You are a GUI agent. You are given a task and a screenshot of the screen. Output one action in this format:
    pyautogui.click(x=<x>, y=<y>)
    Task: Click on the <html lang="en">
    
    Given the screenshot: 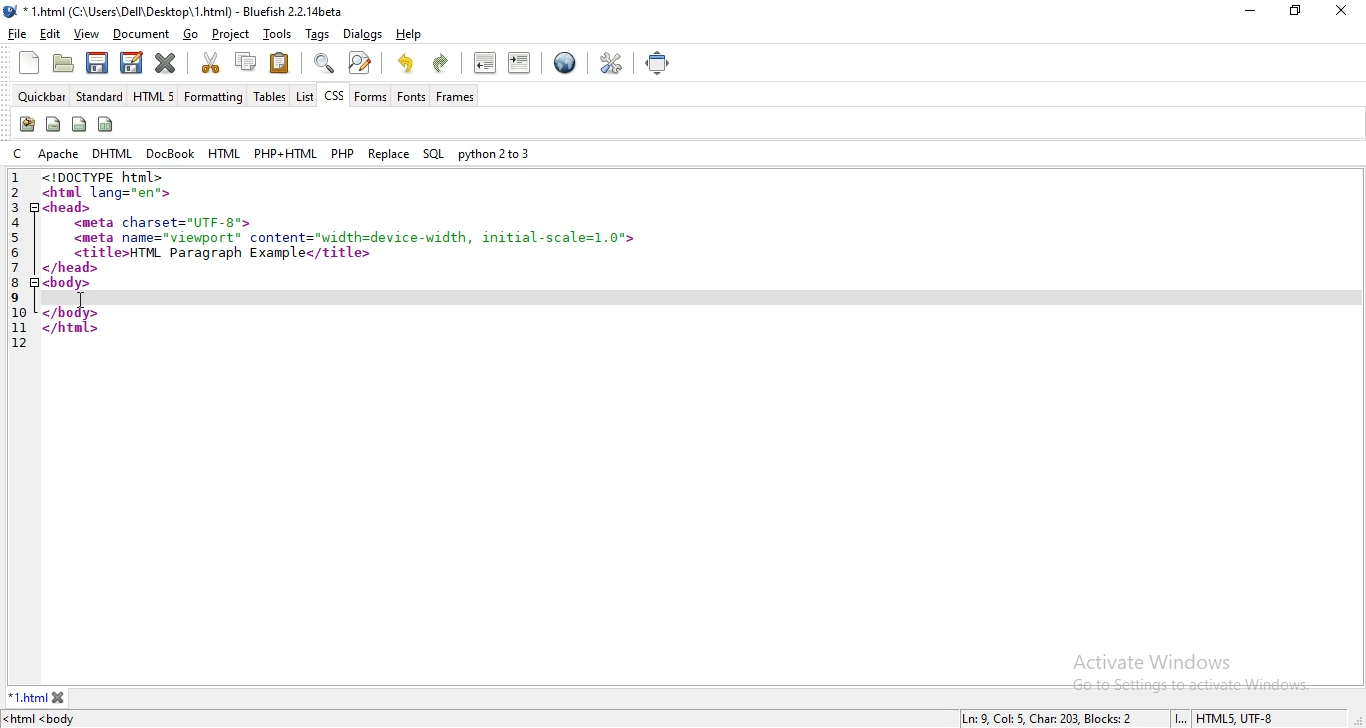 What is the action you would take?
    pyautogui.click(x=110, y=192)
    